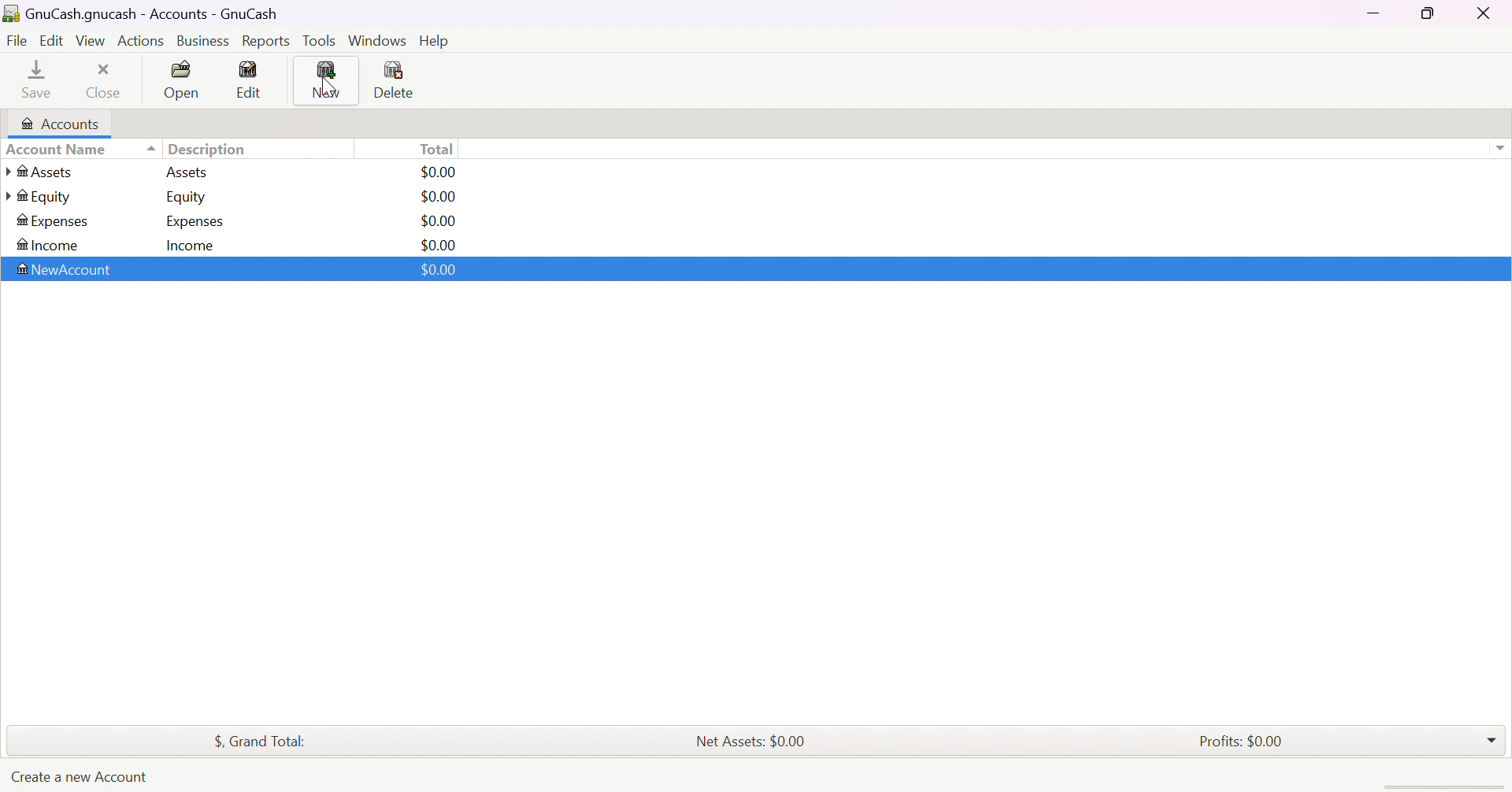 Image resolution: width=1512 pixels, height=792 pixels. Describe the element at coordinates (1246, 741) in the screenshot. I see `Profits: $0.00` at that location.